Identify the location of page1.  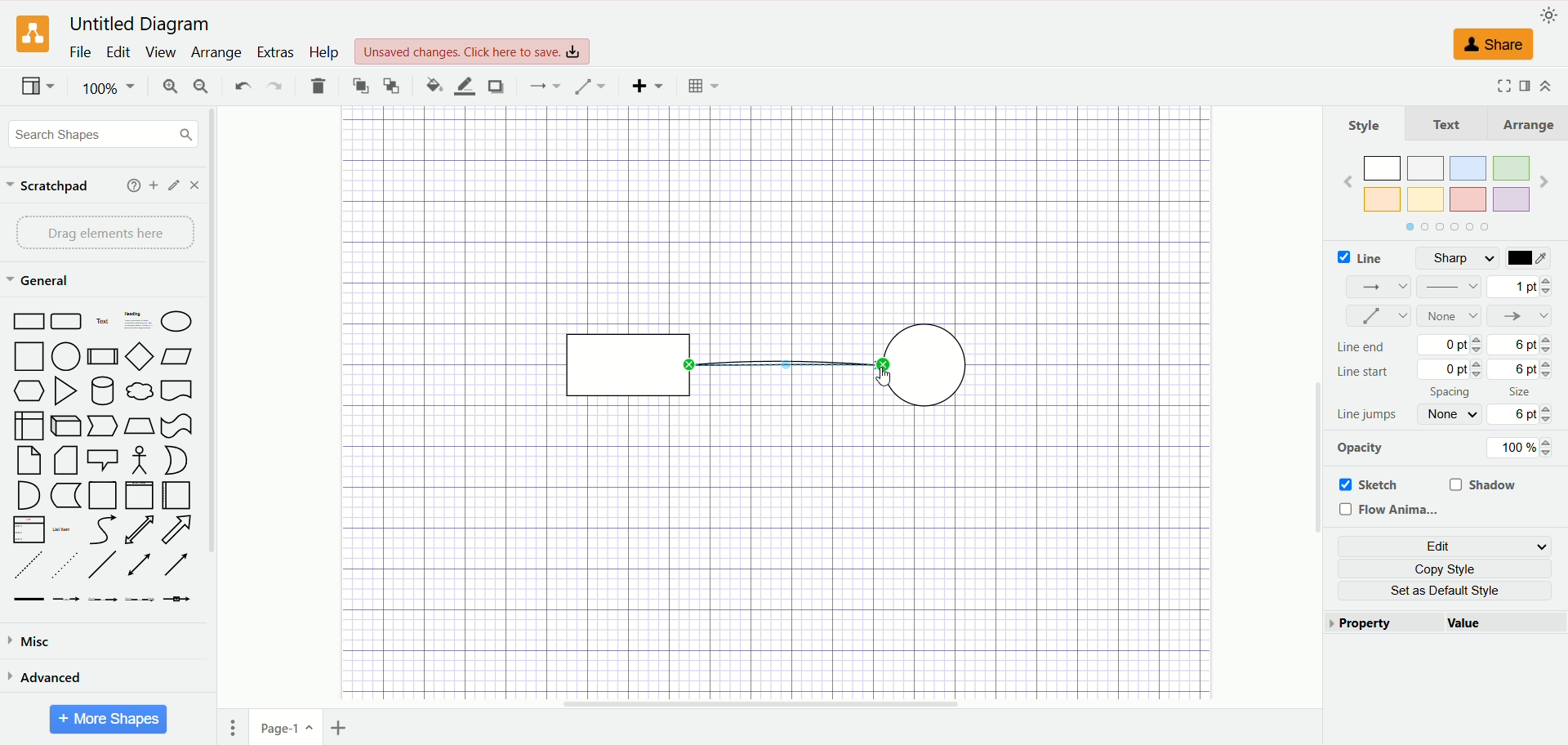
(287, 727).